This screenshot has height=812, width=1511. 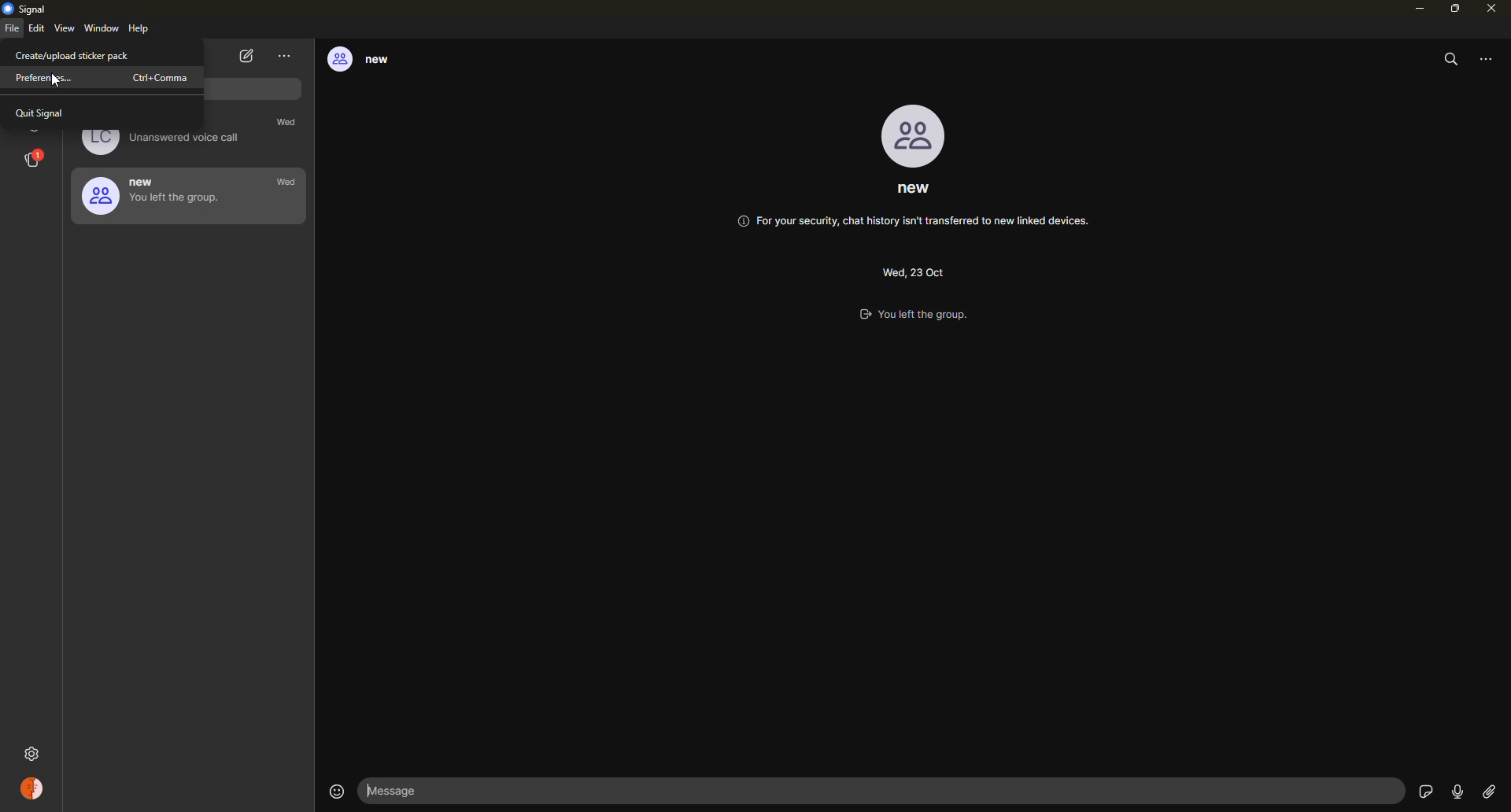 I want to click on attach, so click(x=1488, y=792).